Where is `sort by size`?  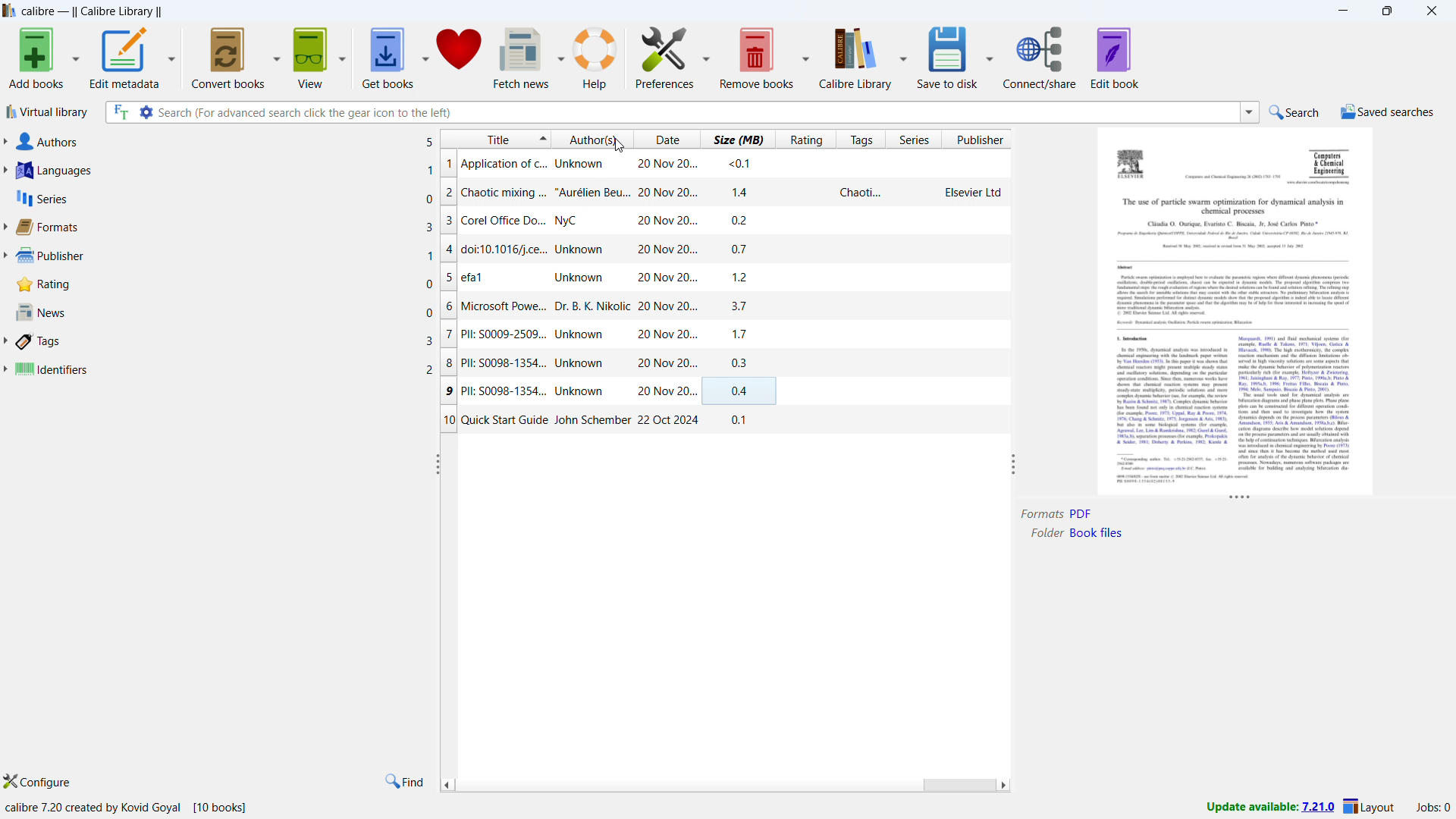
sort by size is located at coordinates (736, 139).